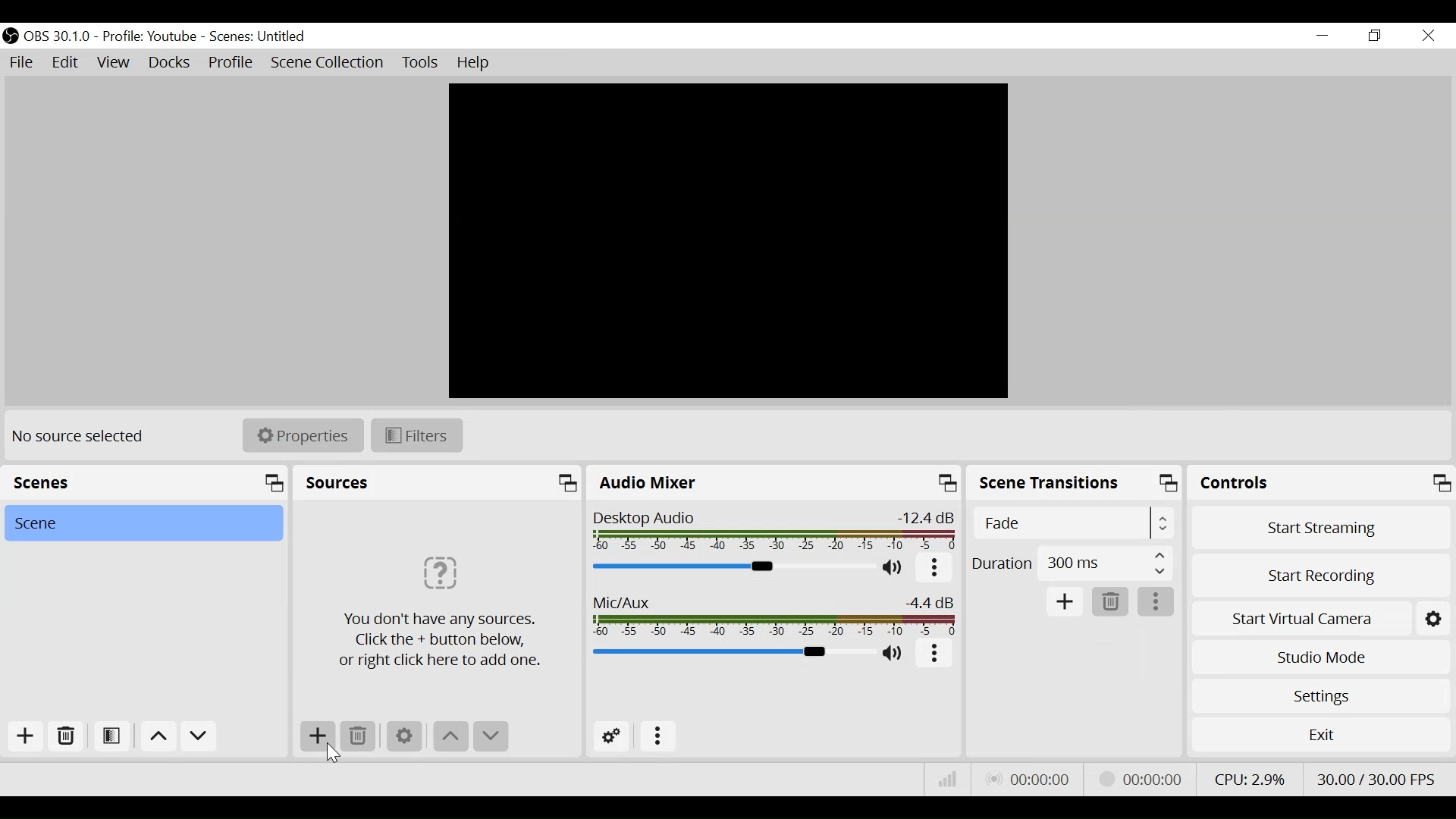 The width and height of the screenshot is (1456, 819). I want to click on CPU Usage, so click(1250, 779).